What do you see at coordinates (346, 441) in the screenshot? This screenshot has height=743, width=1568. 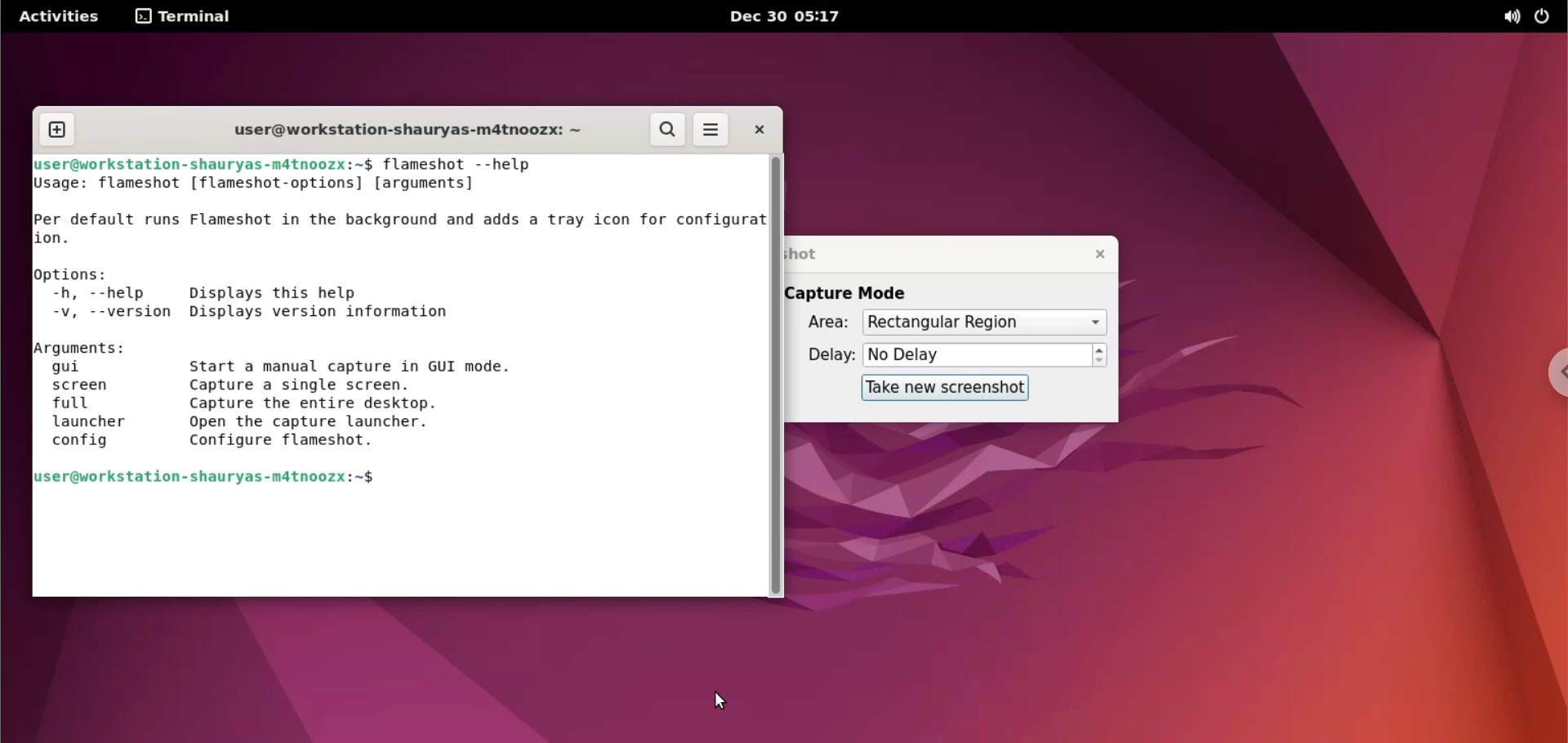 I see `configure flameshot` at bounding box center [346, 441].